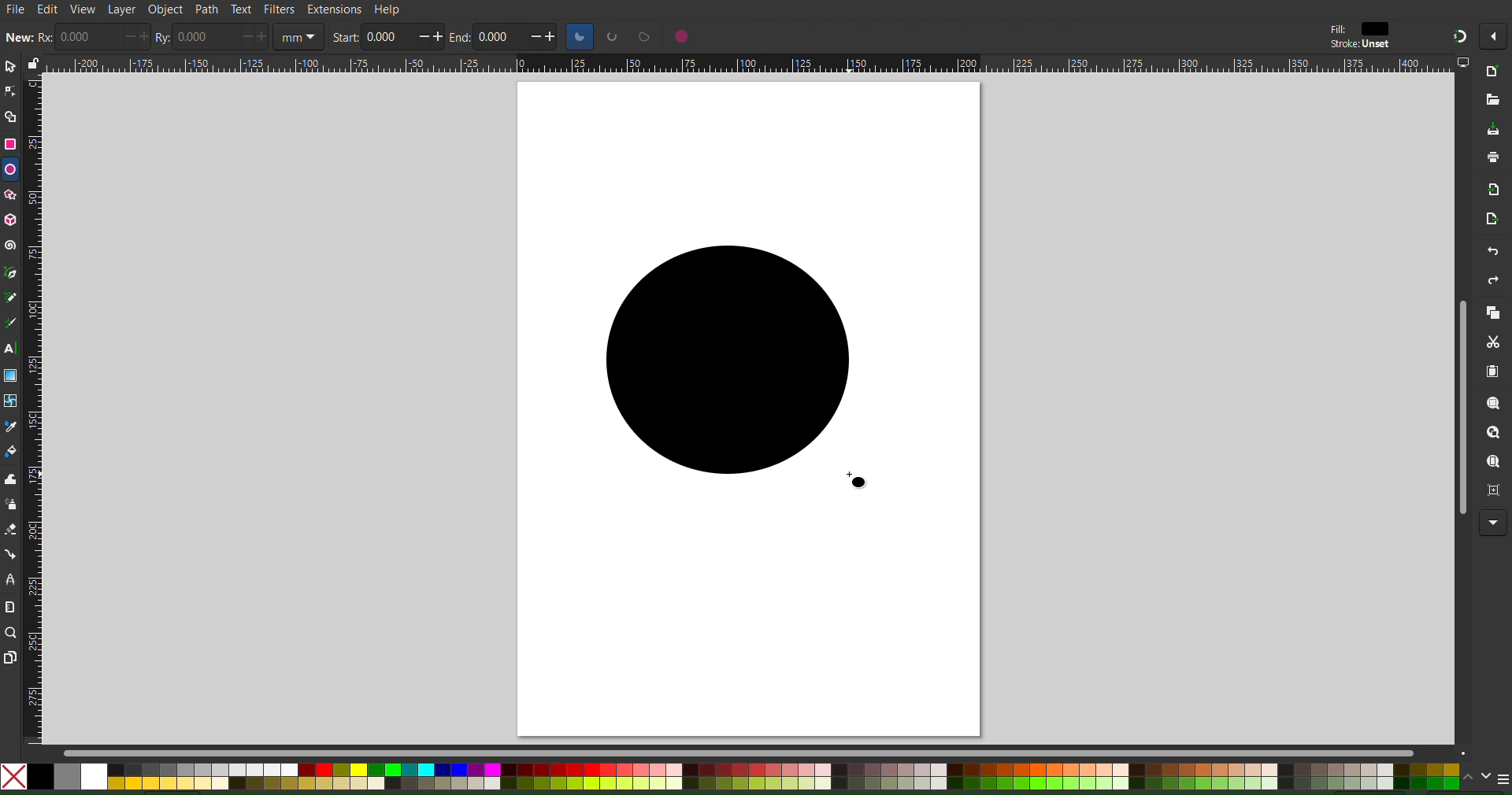  Describe the element at coordinates (681, 36) in the screenshot. I see `circle options` at that location.